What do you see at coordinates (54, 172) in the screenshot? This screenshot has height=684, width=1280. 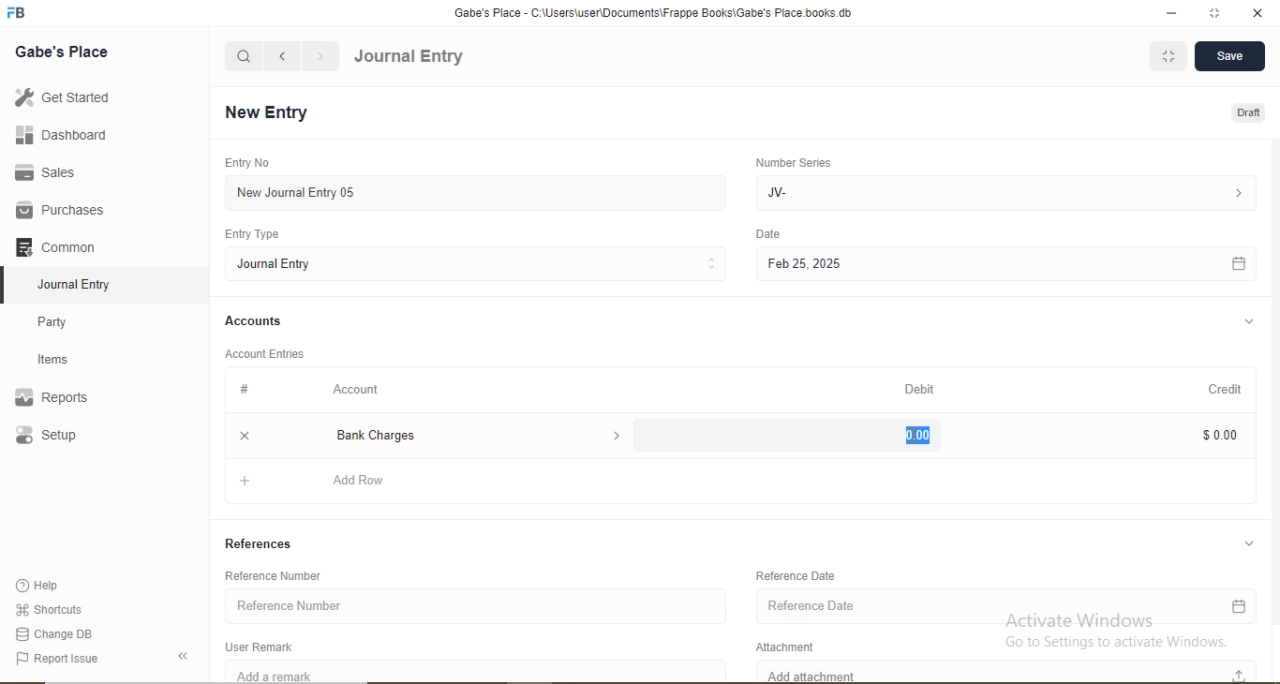 I see `Sales` at bounding box center [54, 172].